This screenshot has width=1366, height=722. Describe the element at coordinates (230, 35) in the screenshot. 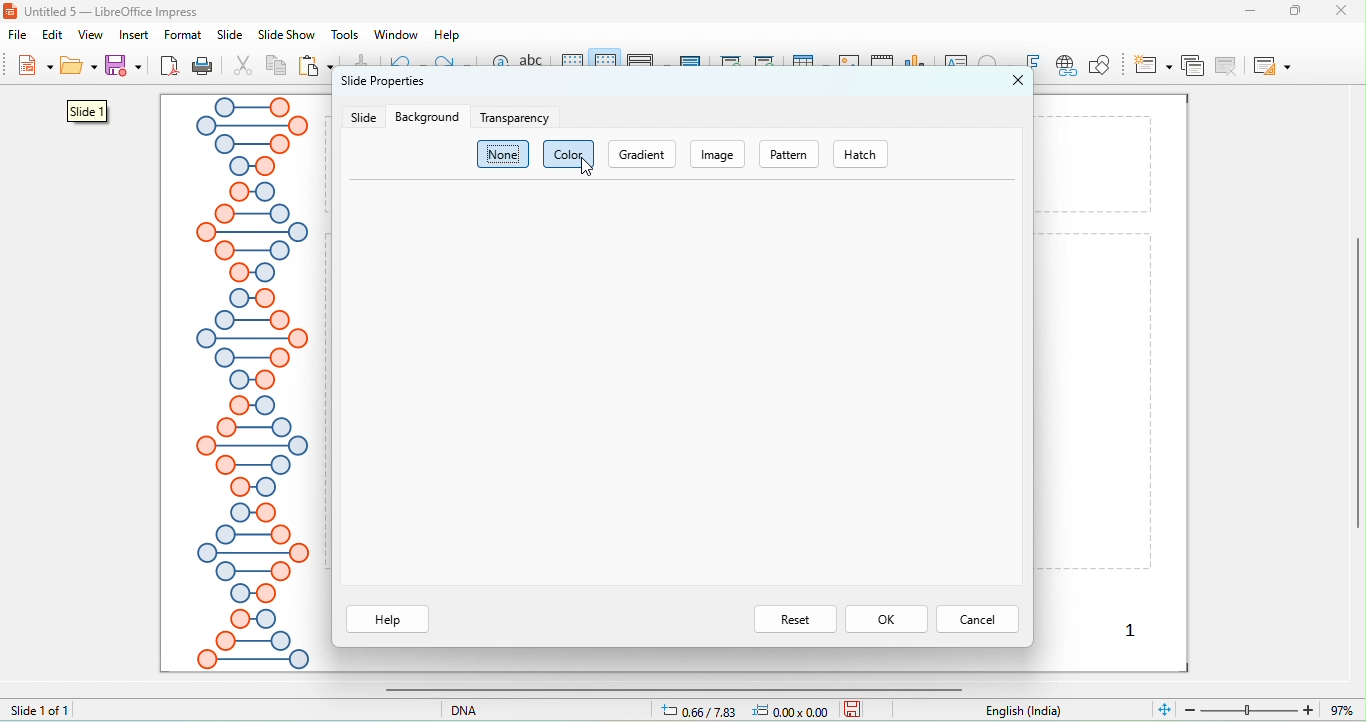

I see `slide` at that location.